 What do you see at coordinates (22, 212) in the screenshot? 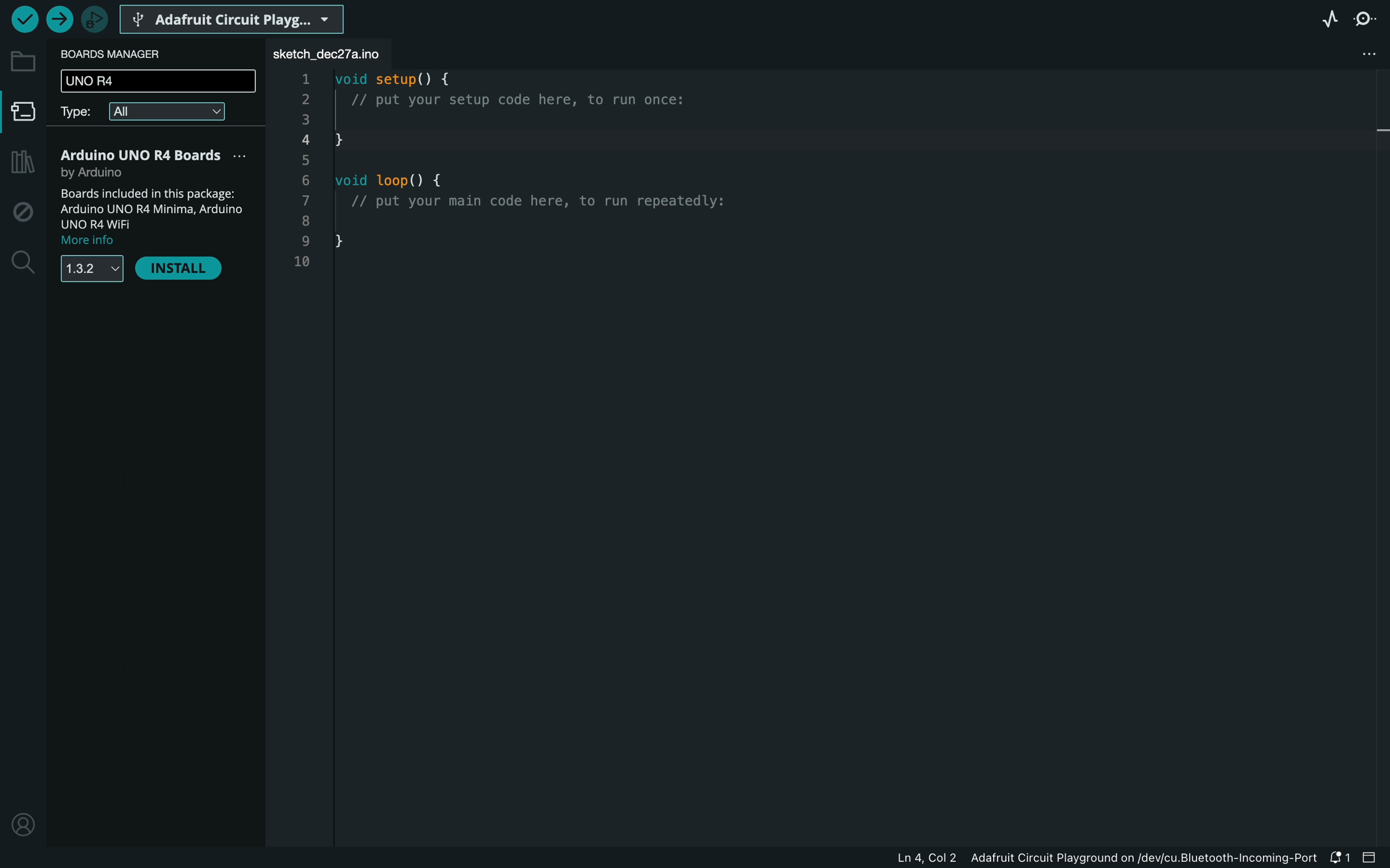
I see `debug` at bounding box center [22, 212].